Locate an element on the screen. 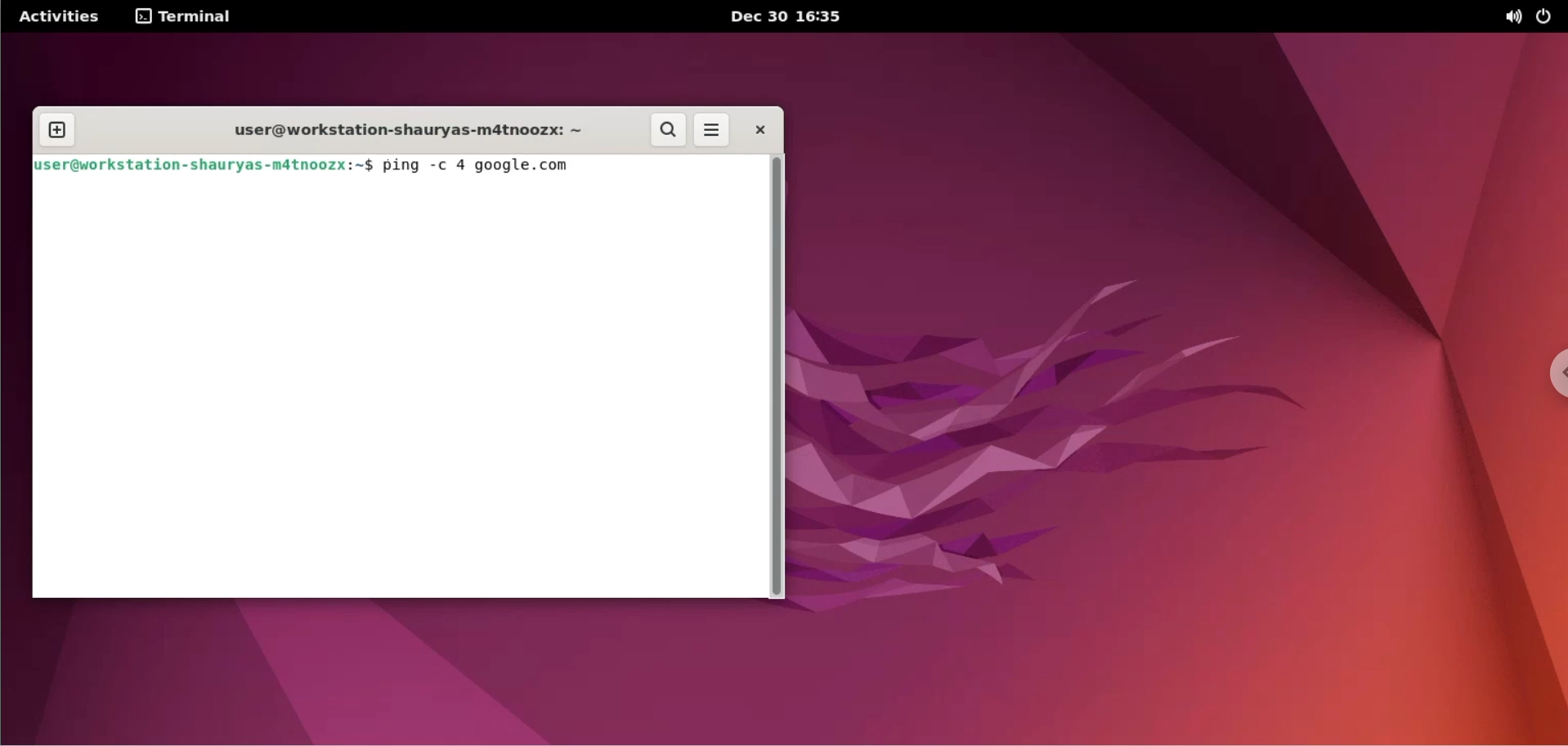  sound options is located at coordinates (1514, 17).